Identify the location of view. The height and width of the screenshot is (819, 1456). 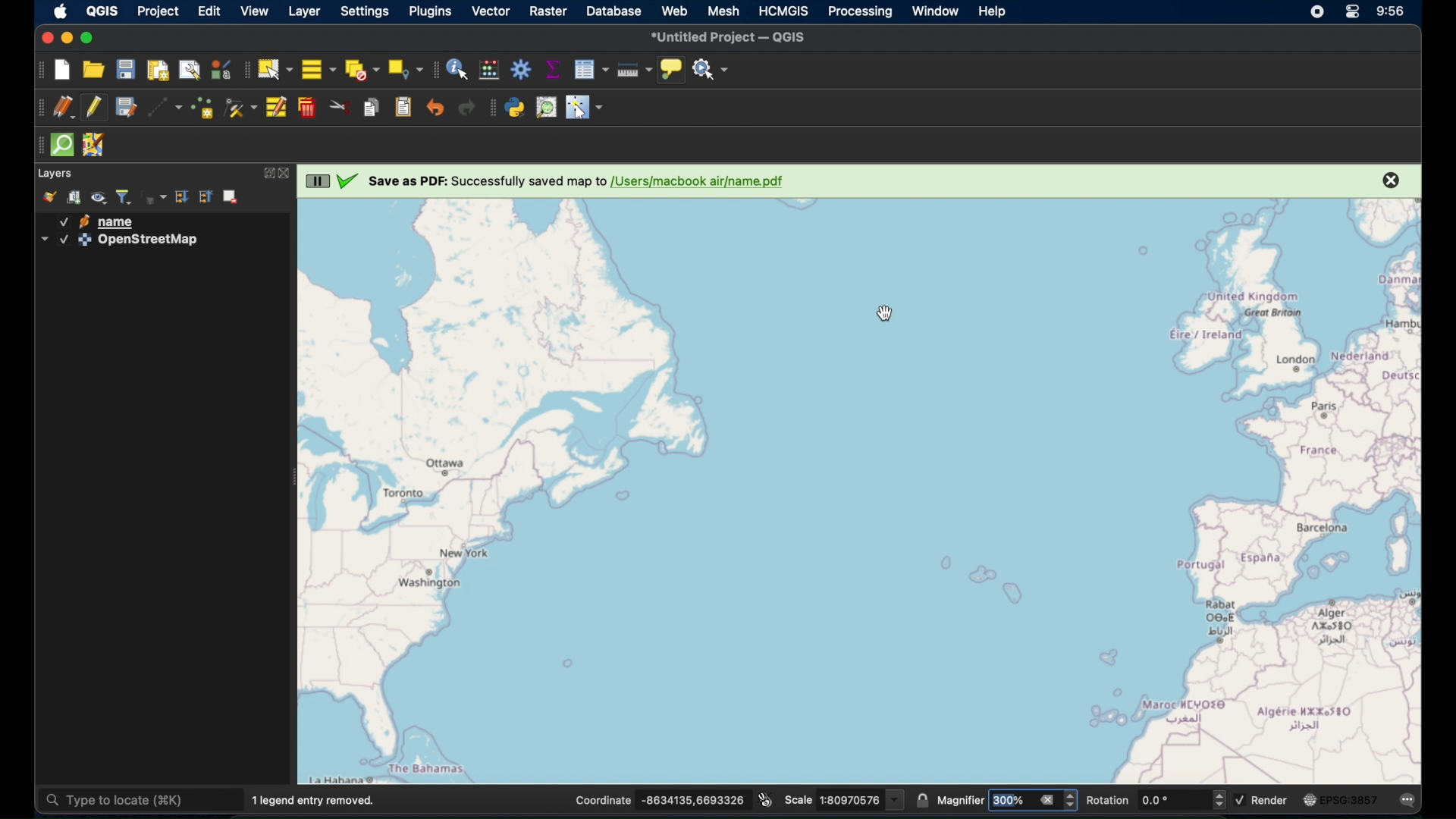
(252, 11).